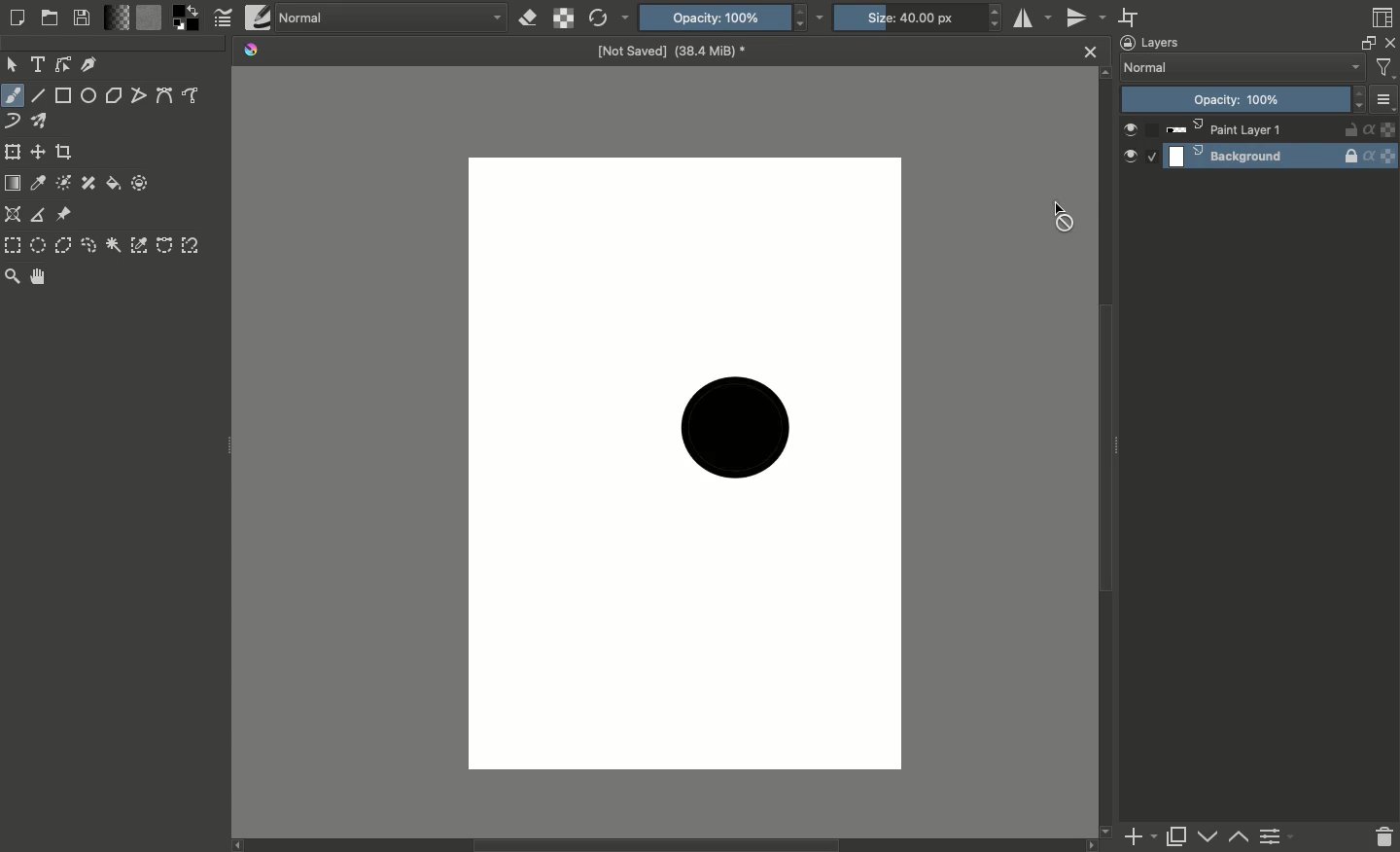 The width and height of the screenshot is (1400, 852). Describe the element at coordinates (258, 18) in the screenshot. I see `Choose brush preset` at that location.